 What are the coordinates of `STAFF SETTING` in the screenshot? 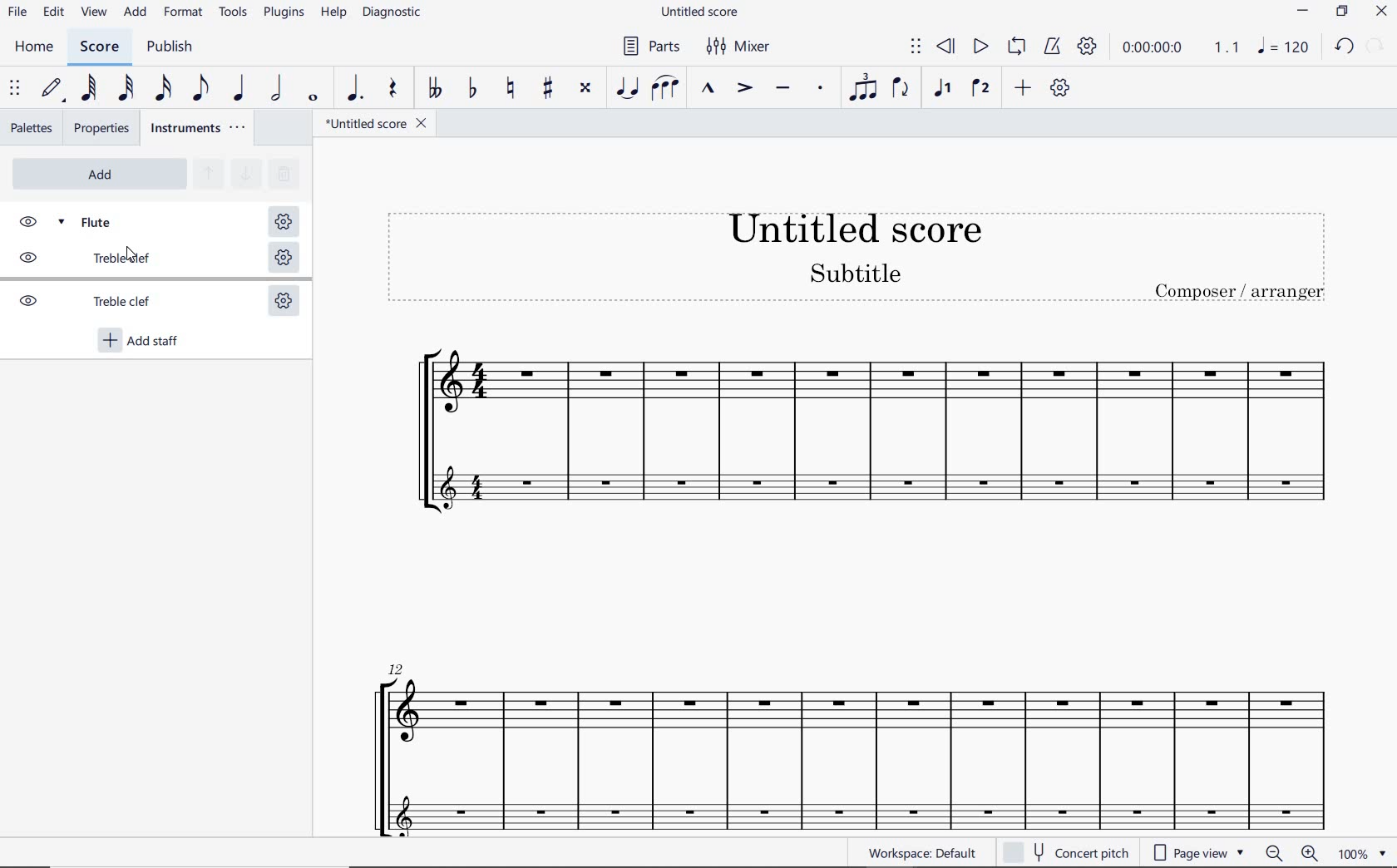 It's located at (283, 303).